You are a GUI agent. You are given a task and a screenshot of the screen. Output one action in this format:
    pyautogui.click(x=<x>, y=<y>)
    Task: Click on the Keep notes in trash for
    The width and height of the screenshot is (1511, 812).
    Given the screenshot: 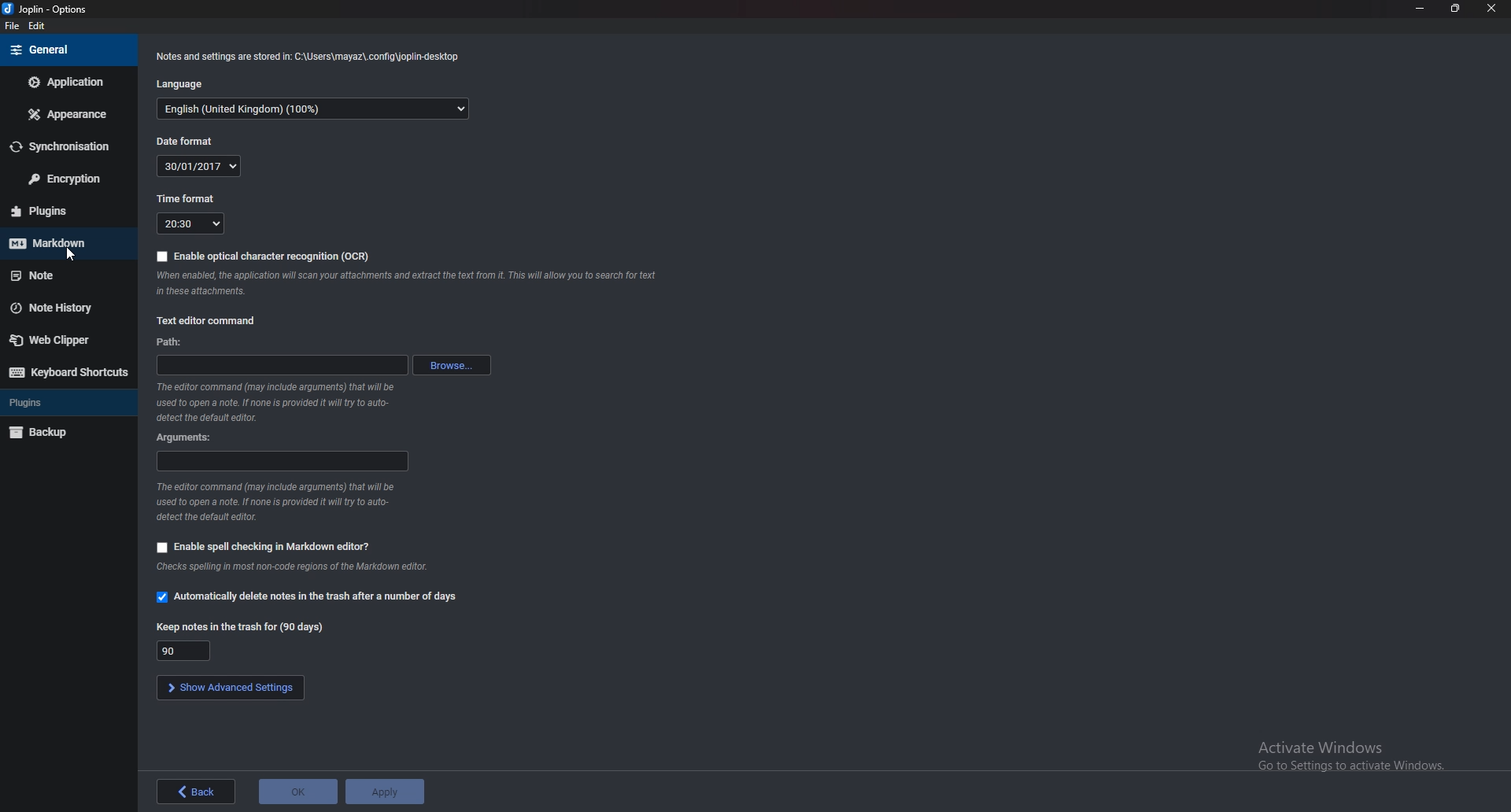 What is the action you would take?
    pyautogui.click(x=186, y=651)
    